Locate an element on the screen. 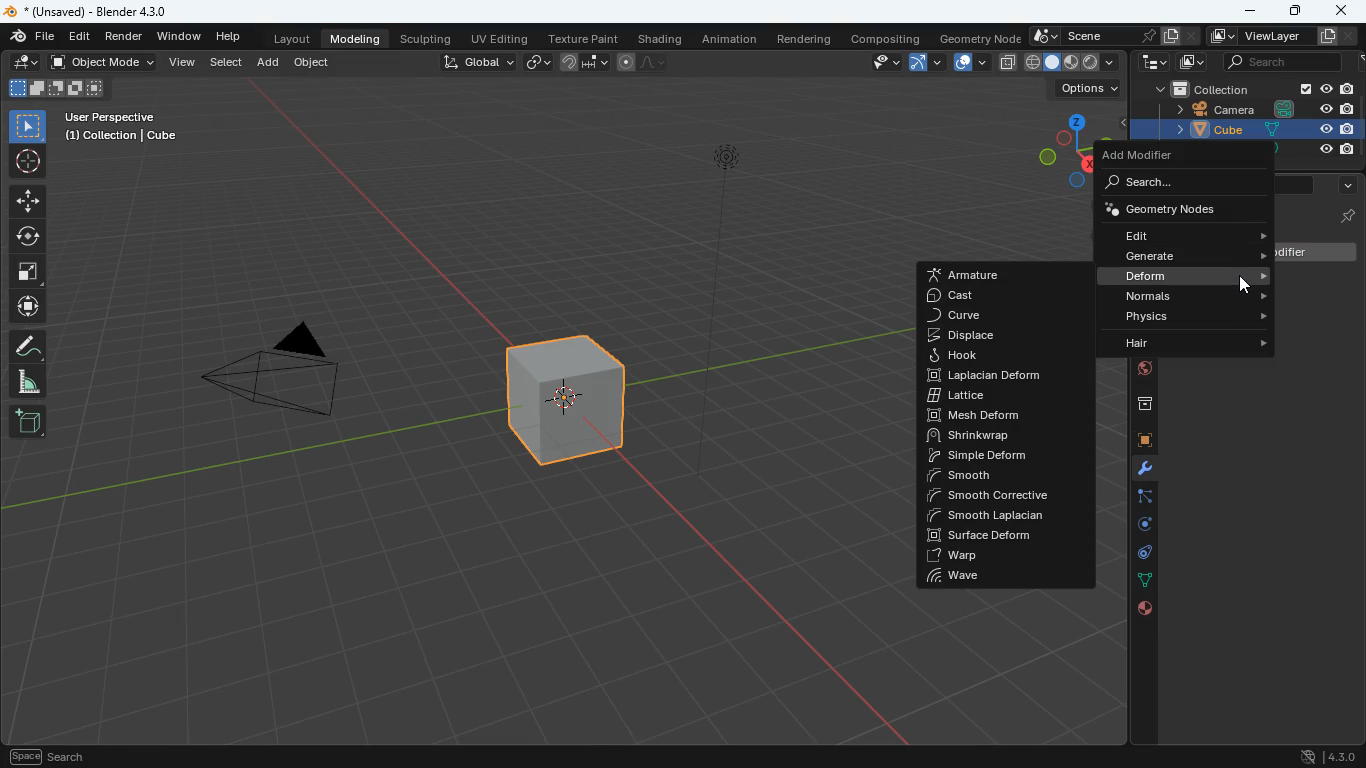 The height and width of the screenshot is (768, 1366). more is located at coordinates (1343, 185).